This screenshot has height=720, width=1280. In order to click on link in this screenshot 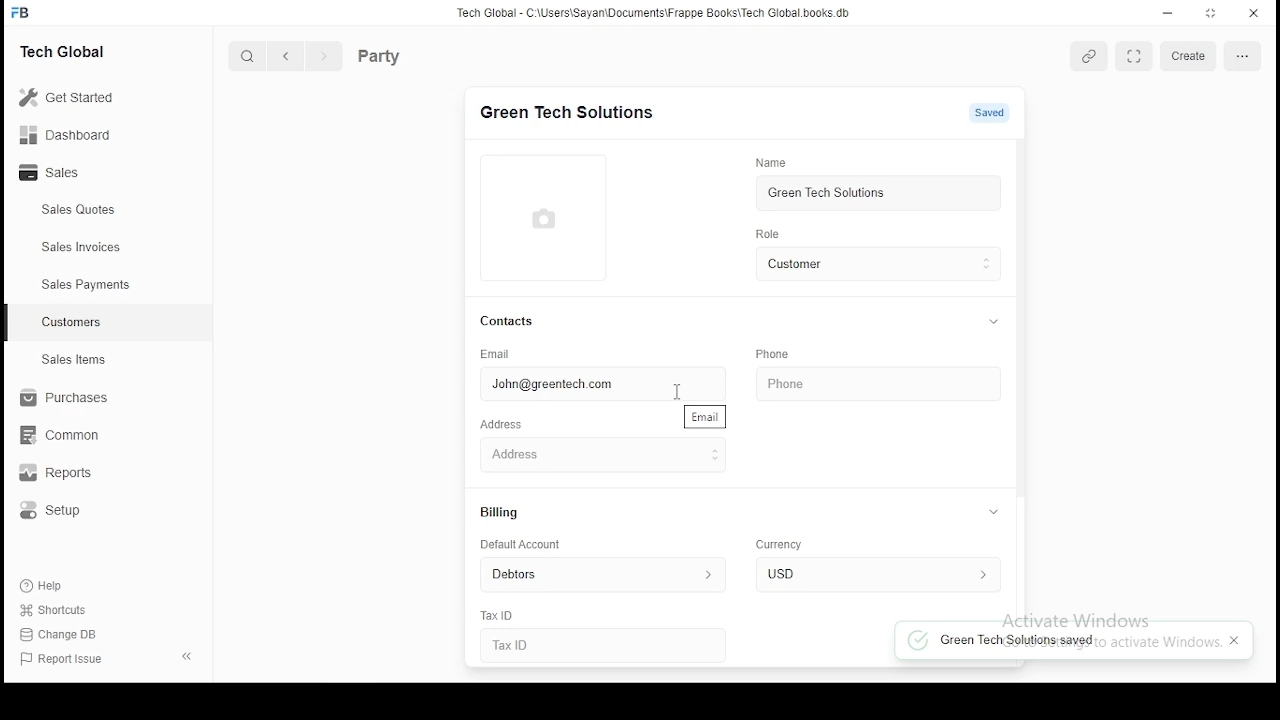, I will do `click(1089, 58)`.